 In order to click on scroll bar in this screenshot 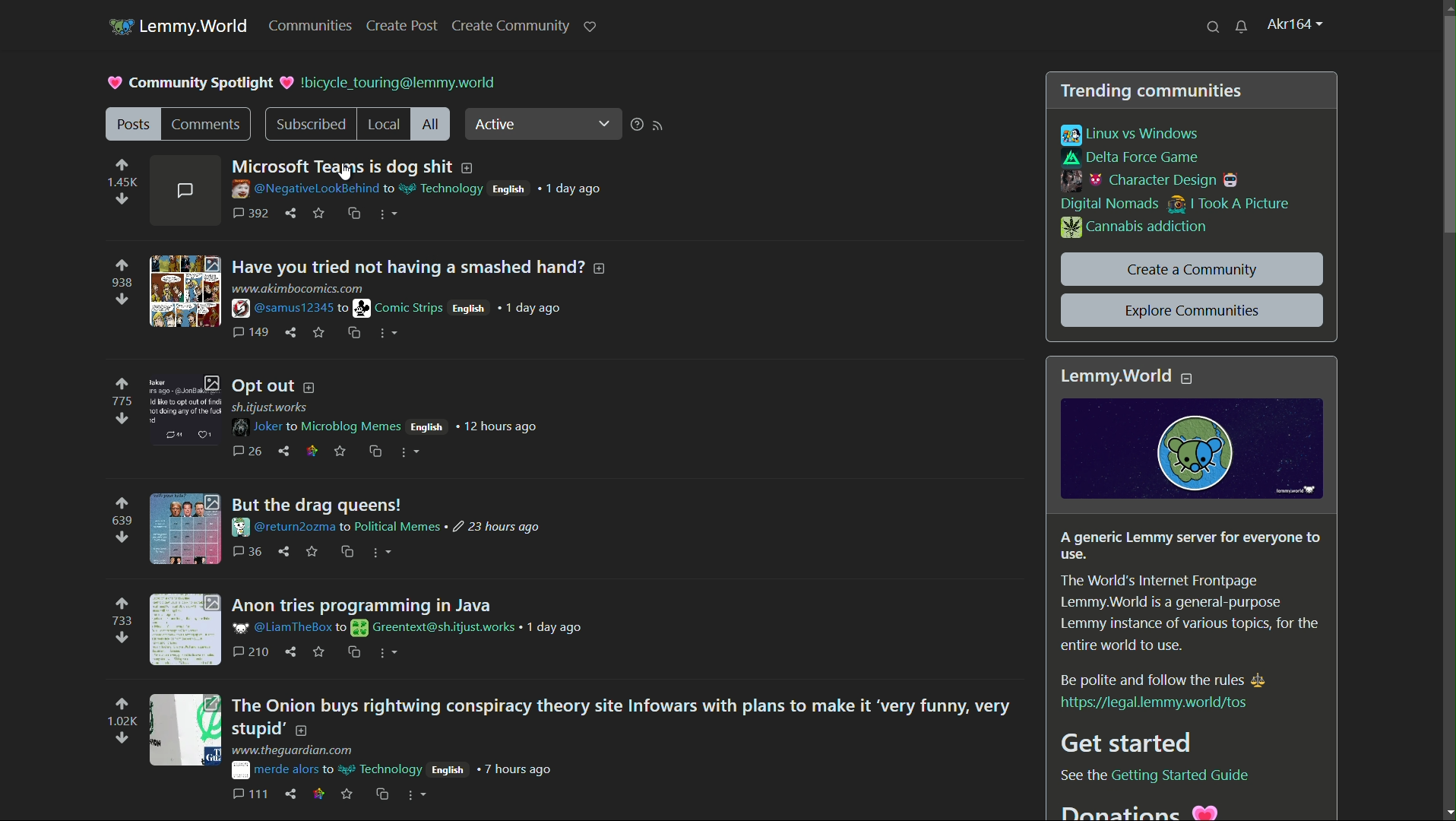, I will do `click(1449, 125)`.